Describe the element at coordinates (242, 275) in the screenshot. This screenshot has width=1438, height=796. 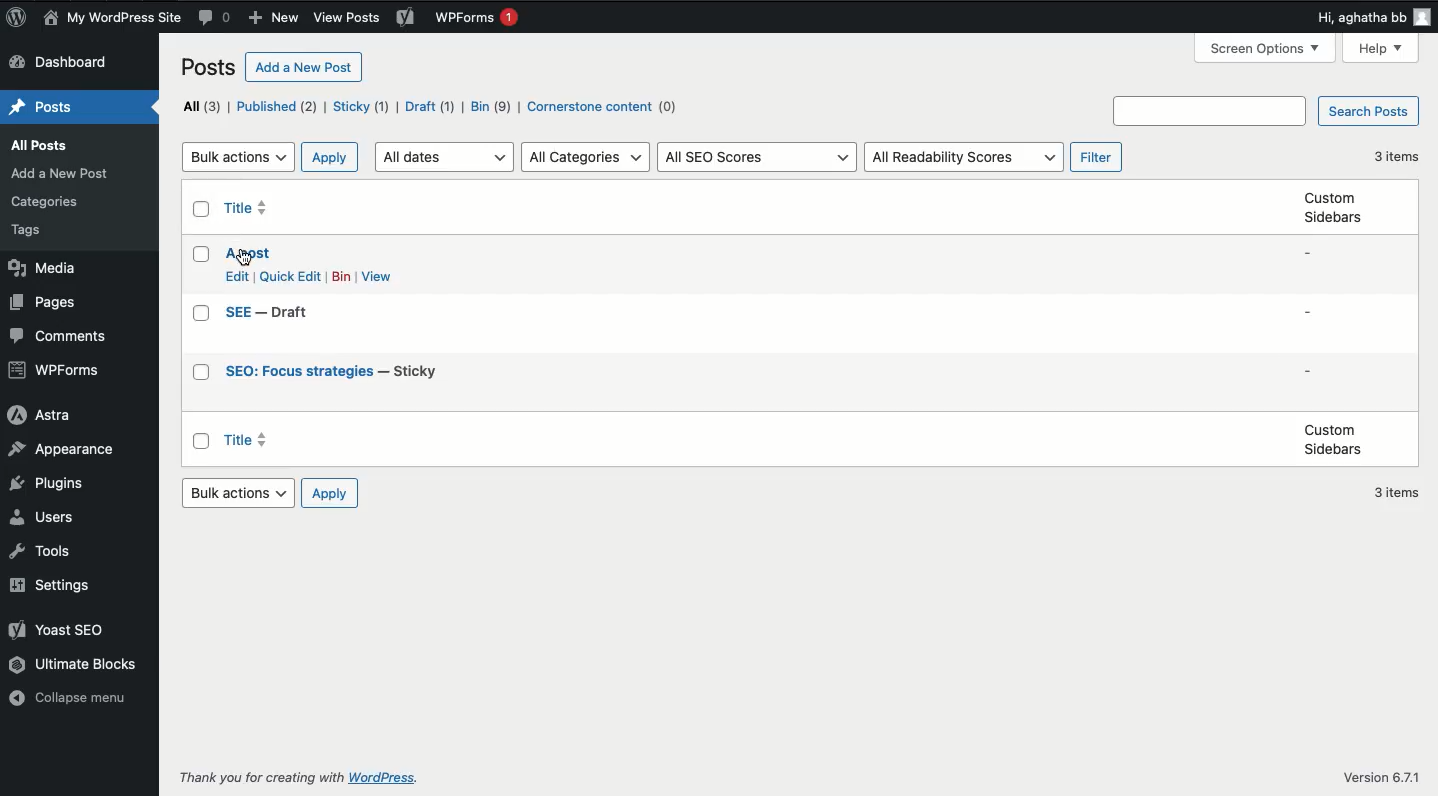
I see `Edit` at that location.